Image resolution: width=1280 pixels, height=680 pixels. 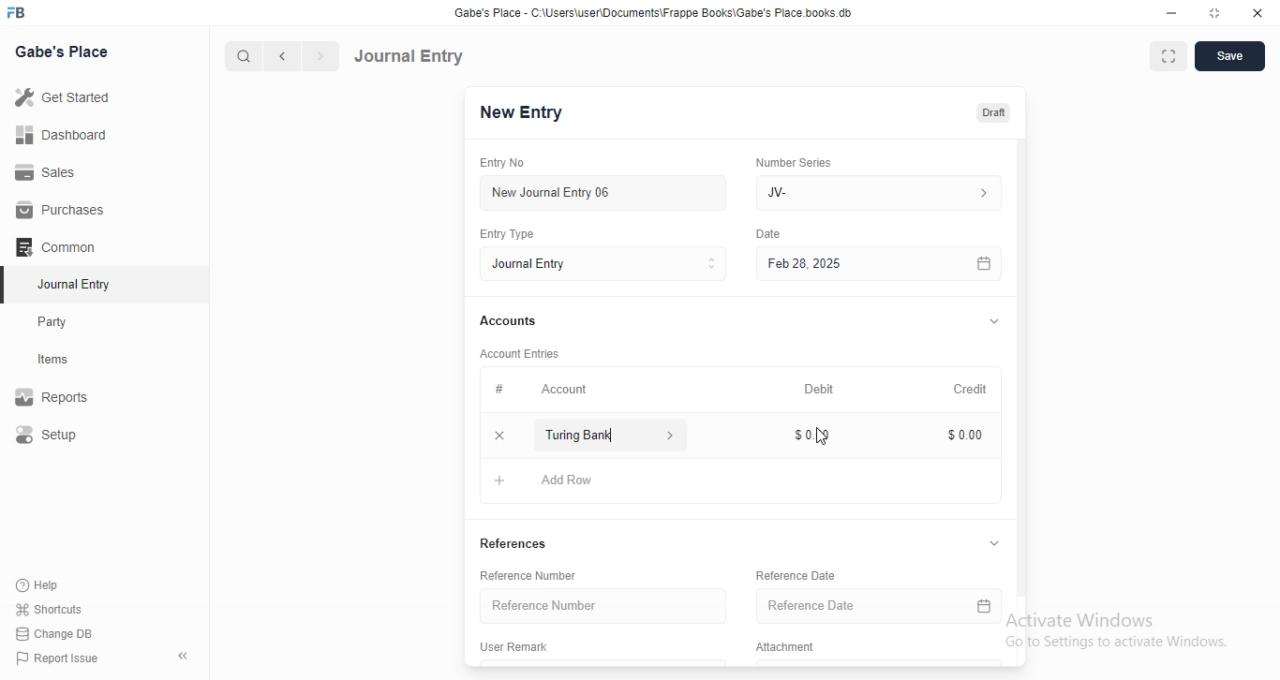 What do you see at coordinates (66, 134) in the screenshot?
I see `Dashboard` at bounding box center [66, 134].